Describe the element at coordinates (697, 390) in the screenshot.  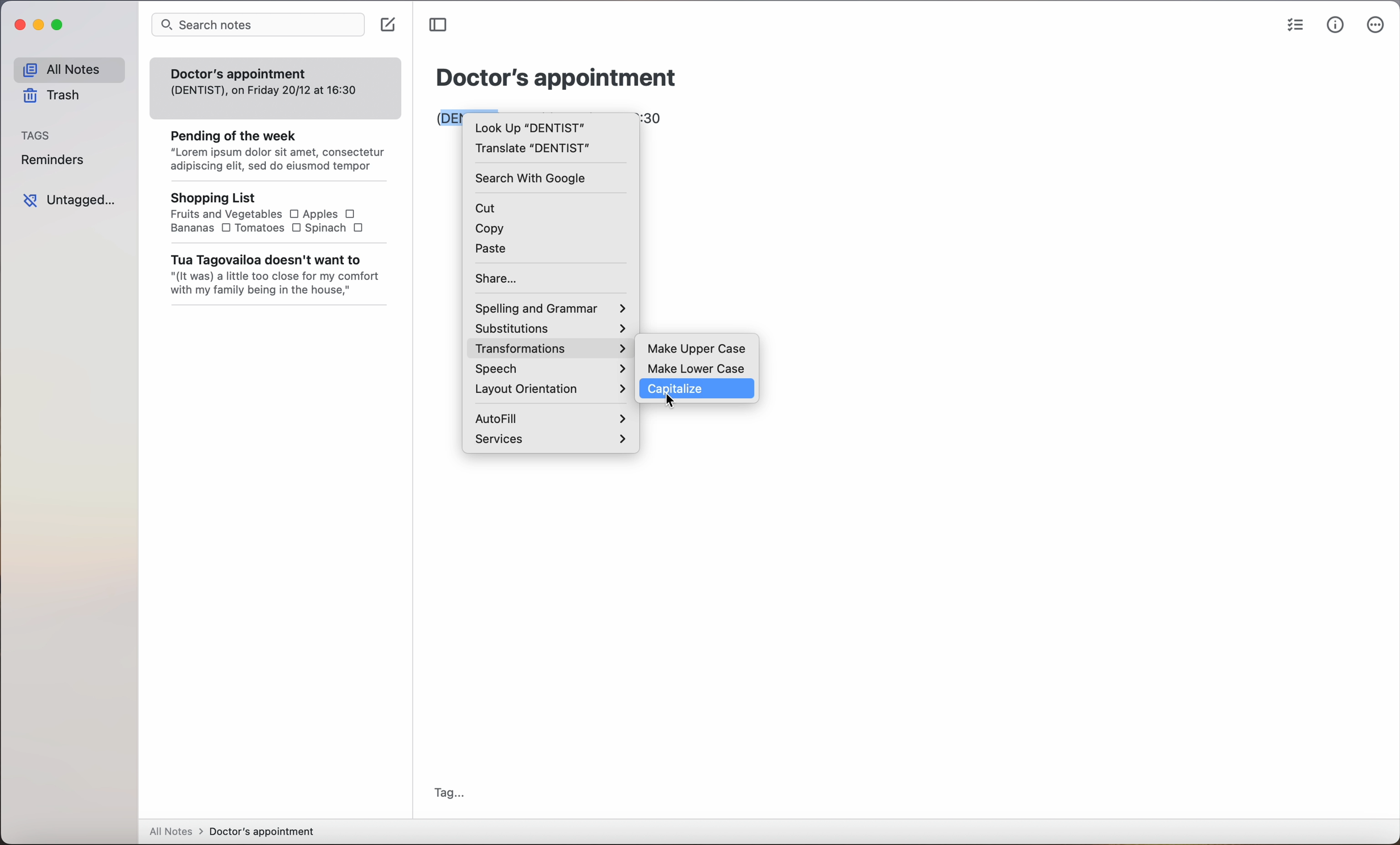
I see ` capitalize` at that location.